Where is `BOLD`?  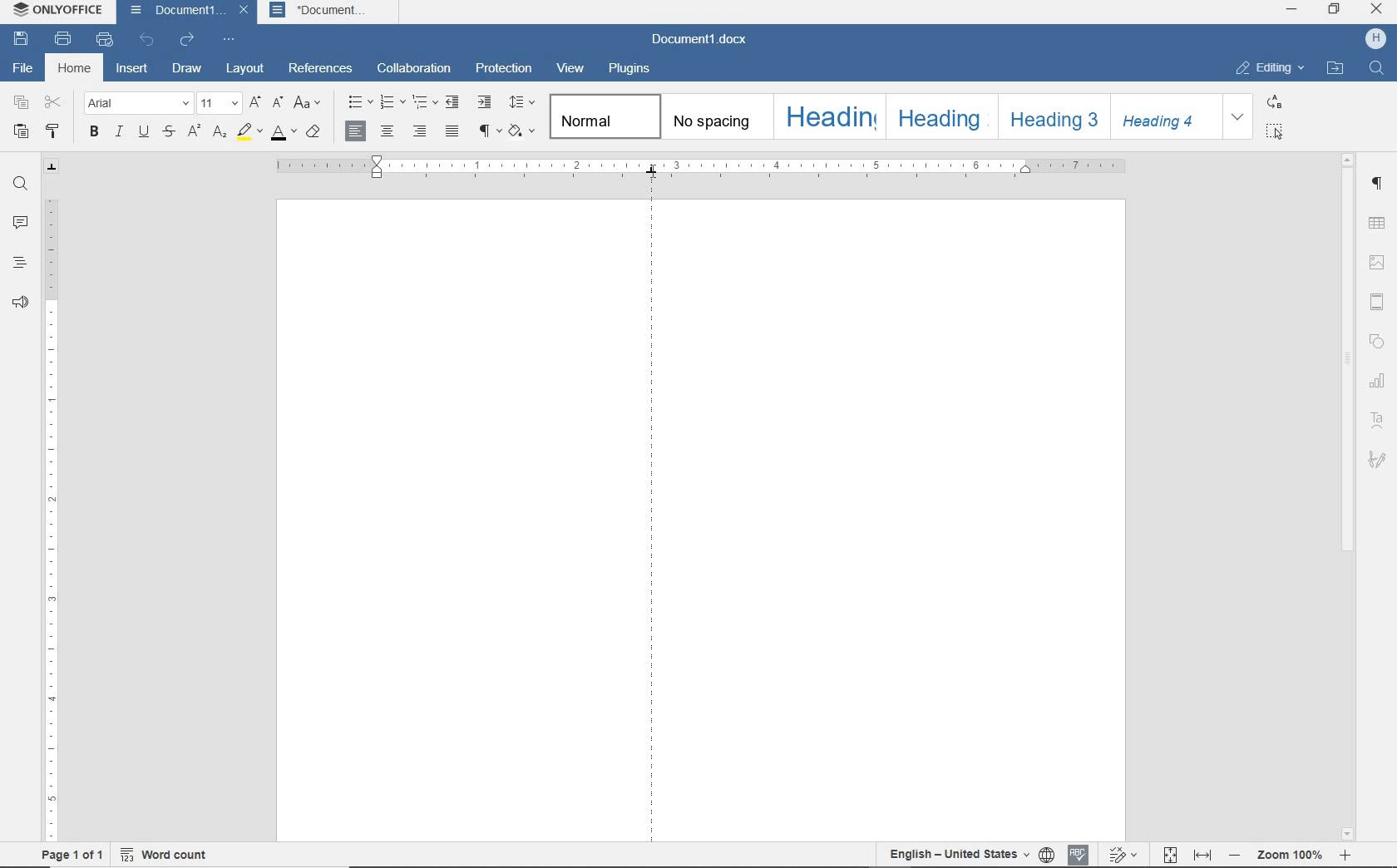
BOLD is located at coordinates (94, 133).